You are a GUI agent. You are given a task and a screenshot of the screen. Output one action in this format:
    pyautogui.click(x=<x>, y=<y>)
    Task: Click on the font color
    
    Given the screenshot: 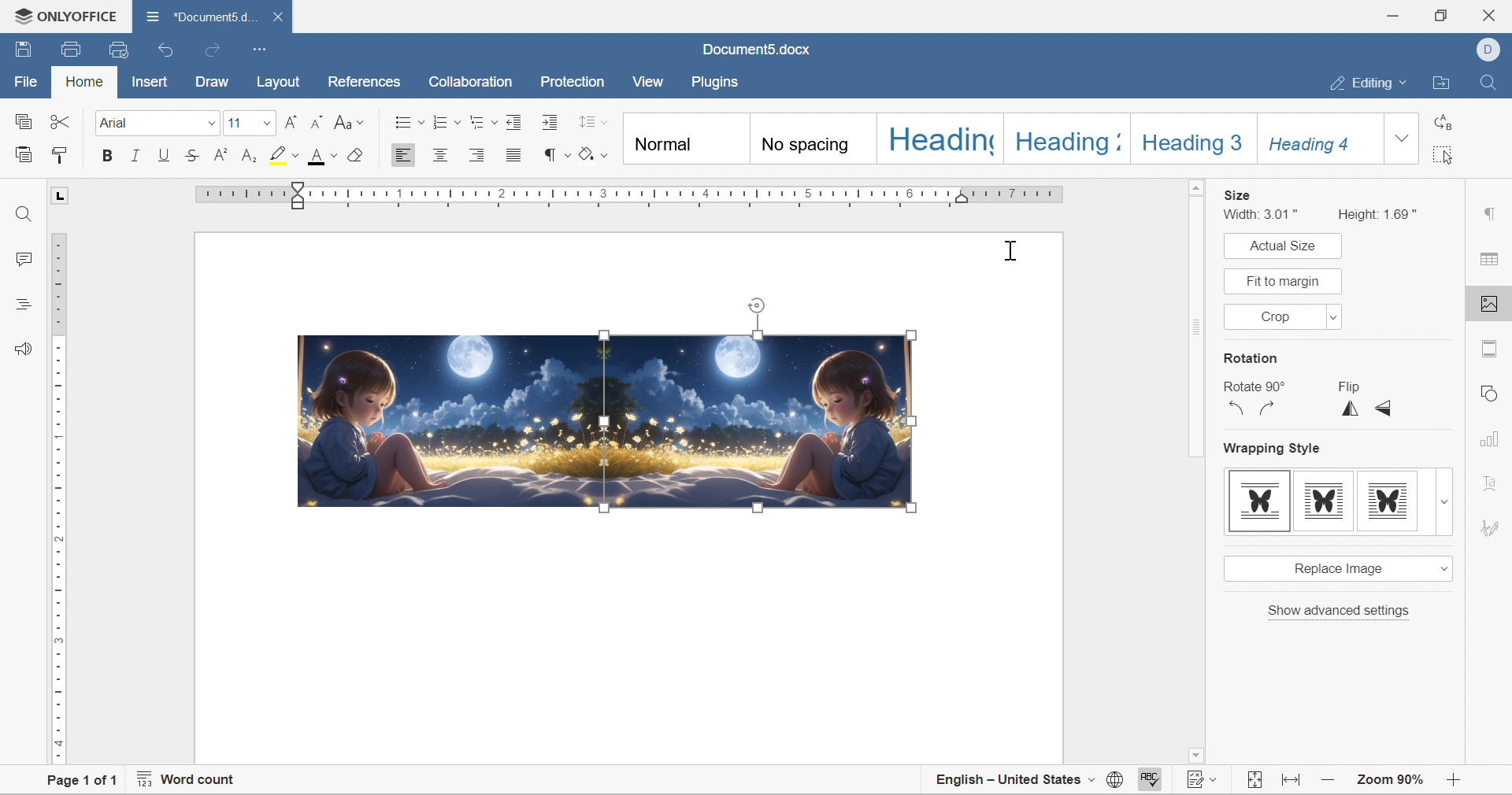 What is the action you would take?
    pyautogui.click(x=324, y=155)
    